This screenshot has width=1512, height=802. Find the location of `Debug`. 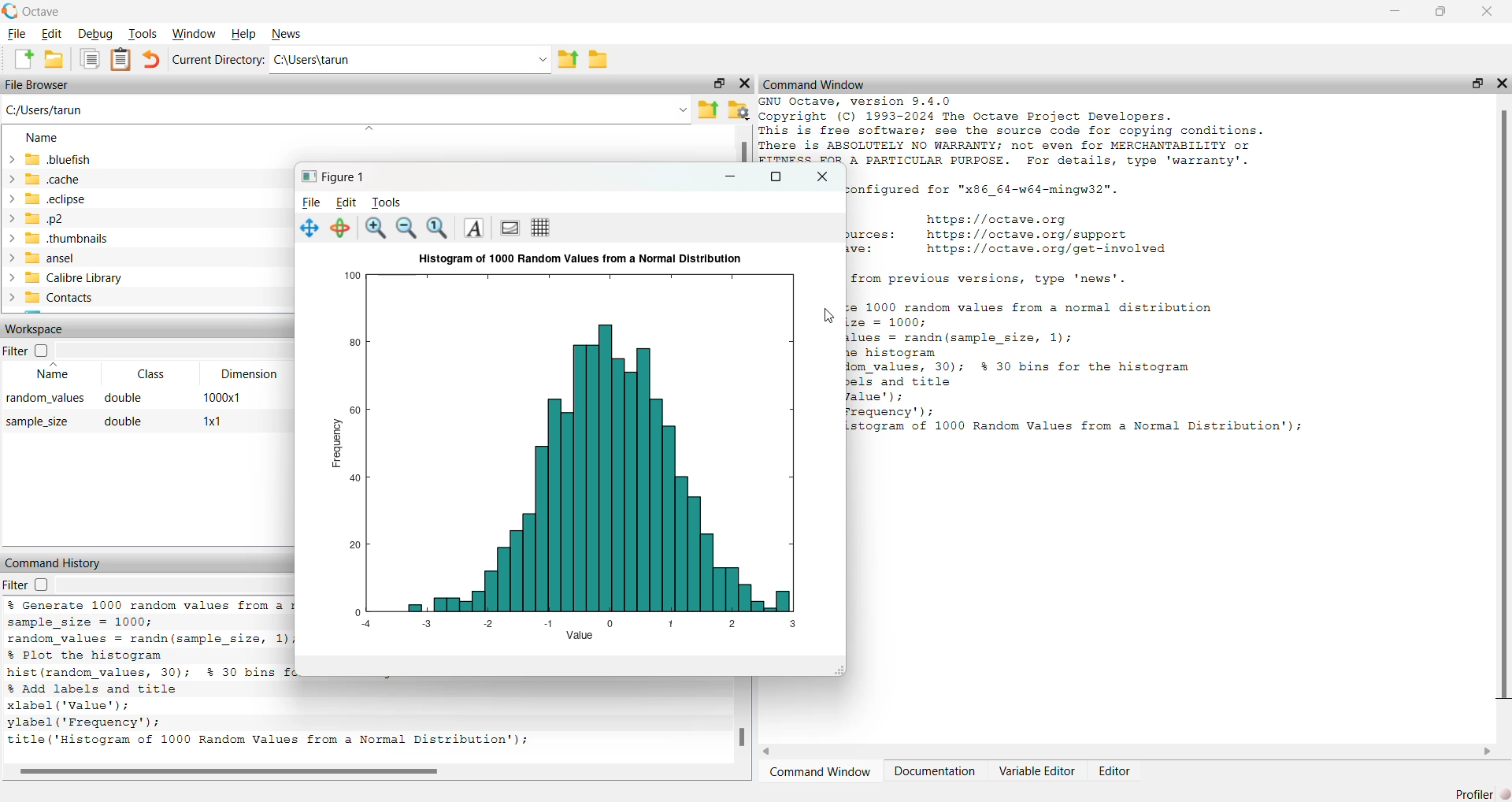

Debug is located at coordinates (94, 34).